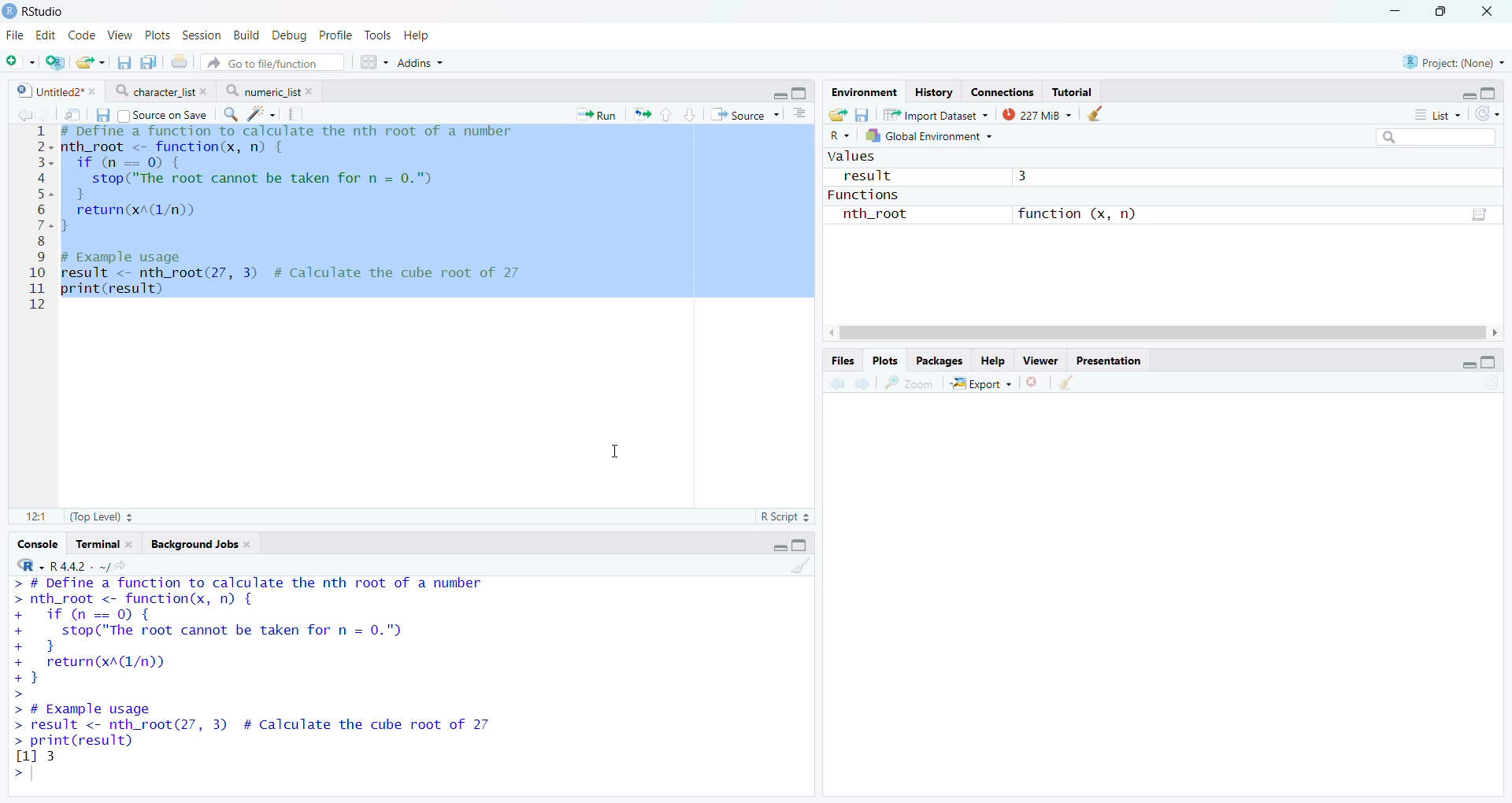 The height and width of the screenshot is (803, 1512). I want to click on Functions, so click(865, 195).